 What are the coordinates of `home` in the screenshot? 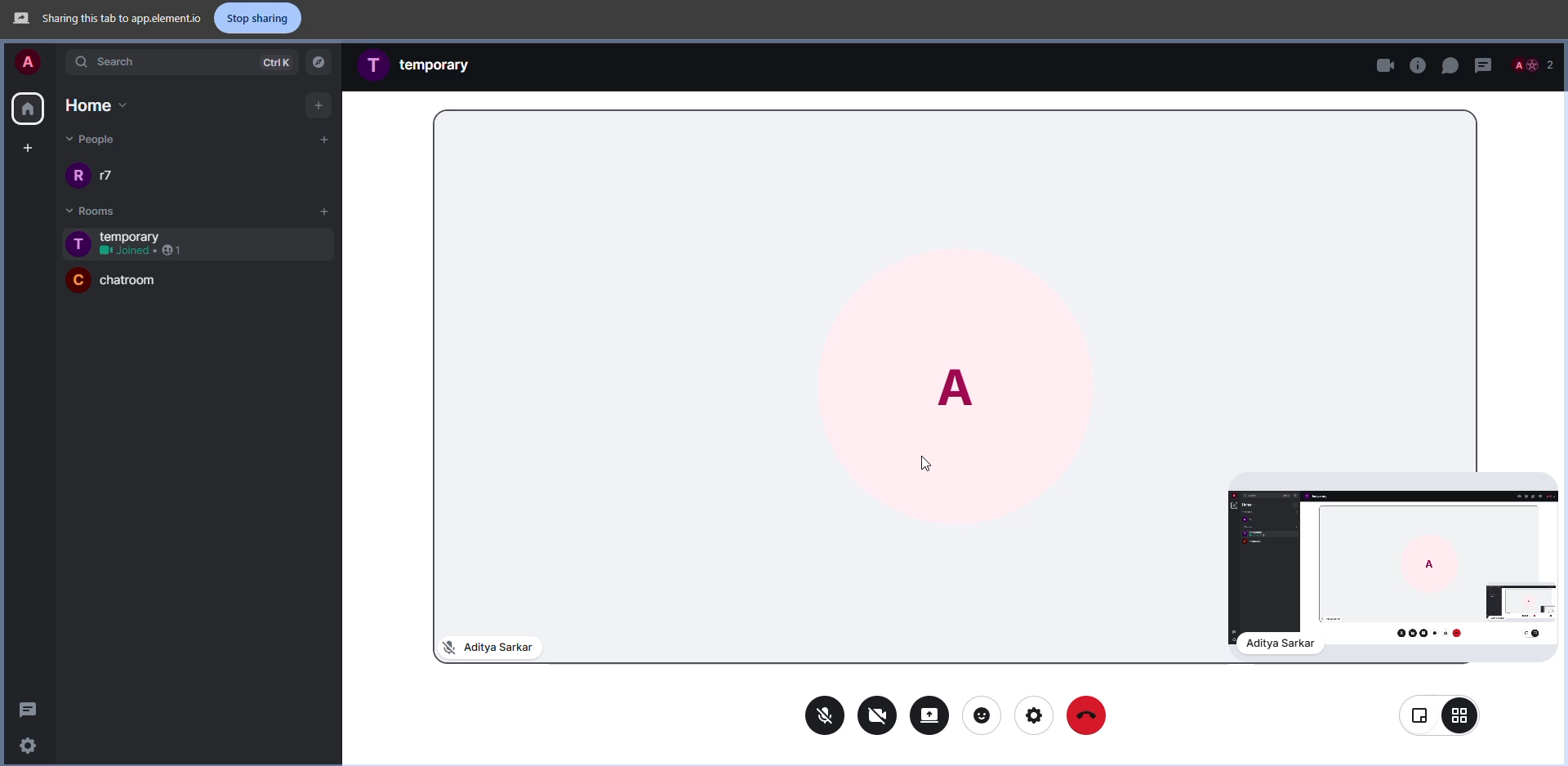 It's located at (31, 110).